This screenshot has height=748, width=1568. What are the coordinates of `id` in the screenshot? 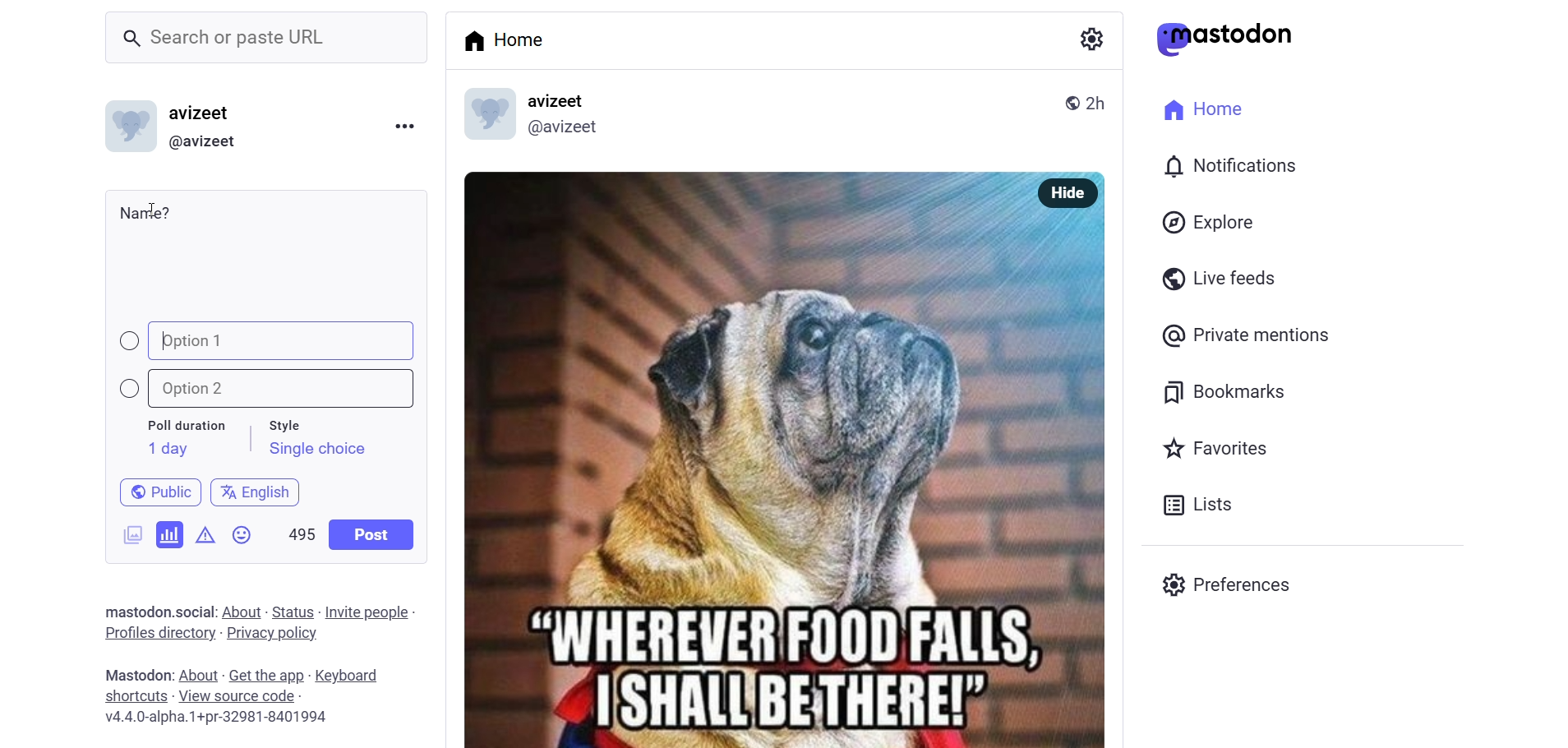 It's located at (126, 130).